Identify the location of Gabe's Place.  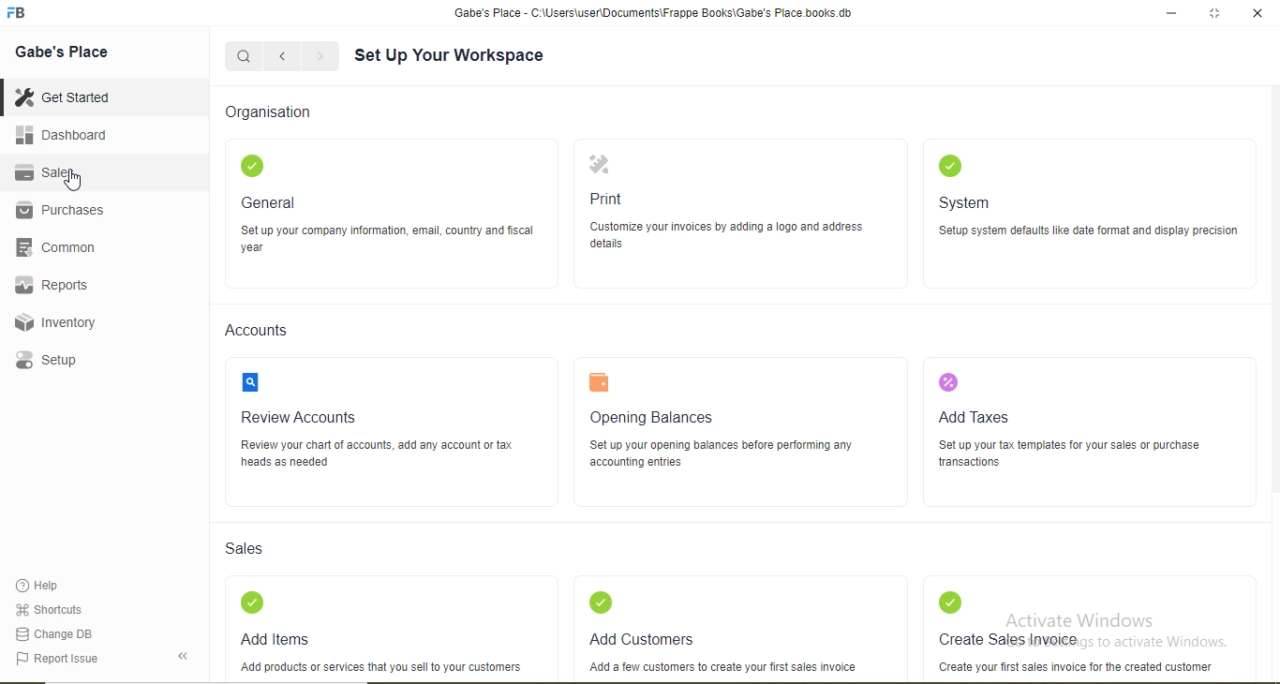
(64, 51).